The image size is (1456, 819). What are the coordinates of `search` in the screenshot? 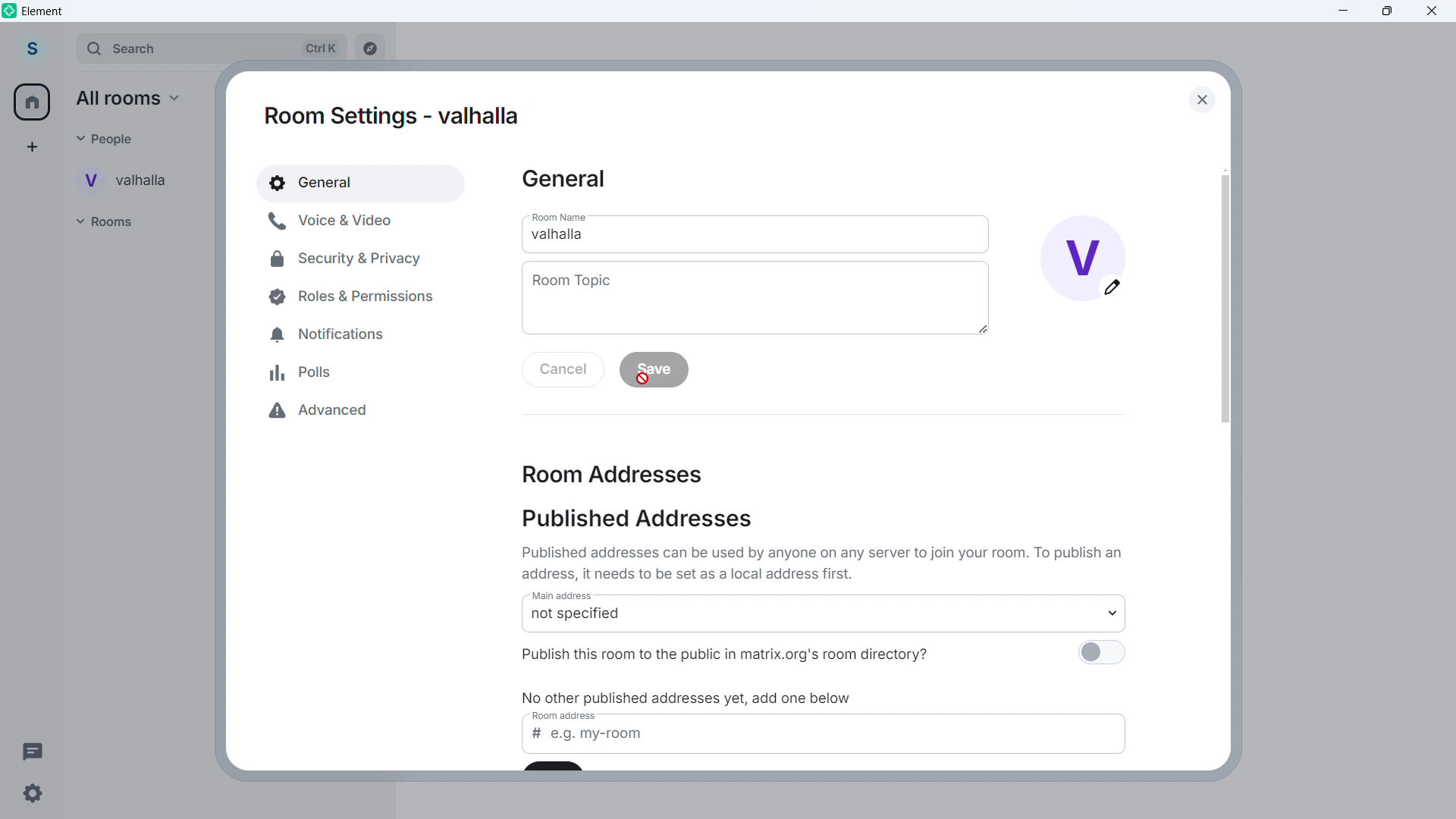 It's located at (212, 48).